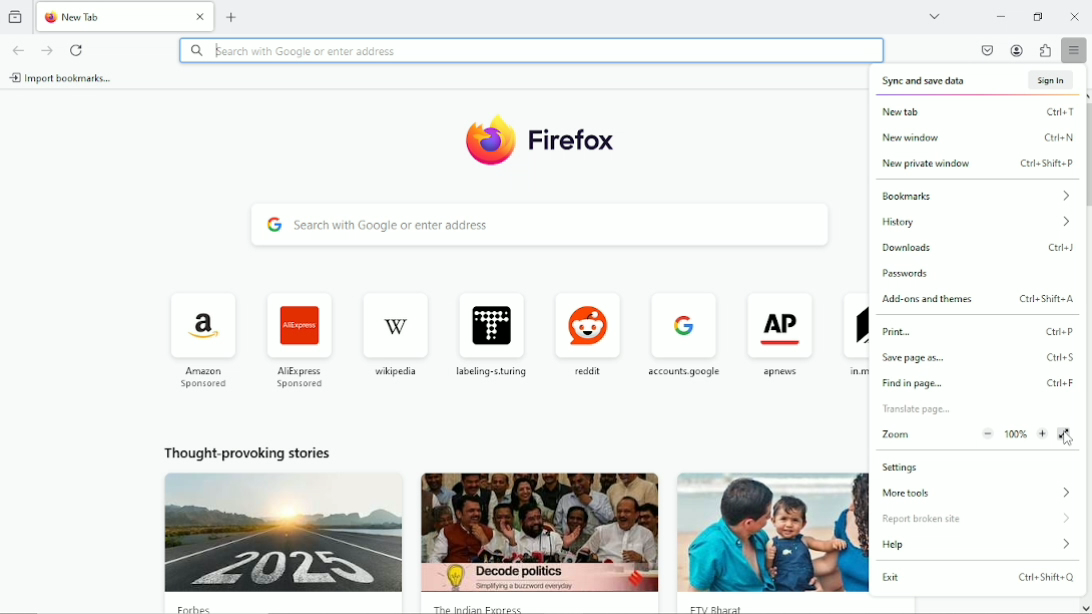 The height and width of the screenshot is (614, 1092). What do you see at coordinates (491, 329) in the screenshot?
I see `labeling turing` at bounding box center [491, 329].